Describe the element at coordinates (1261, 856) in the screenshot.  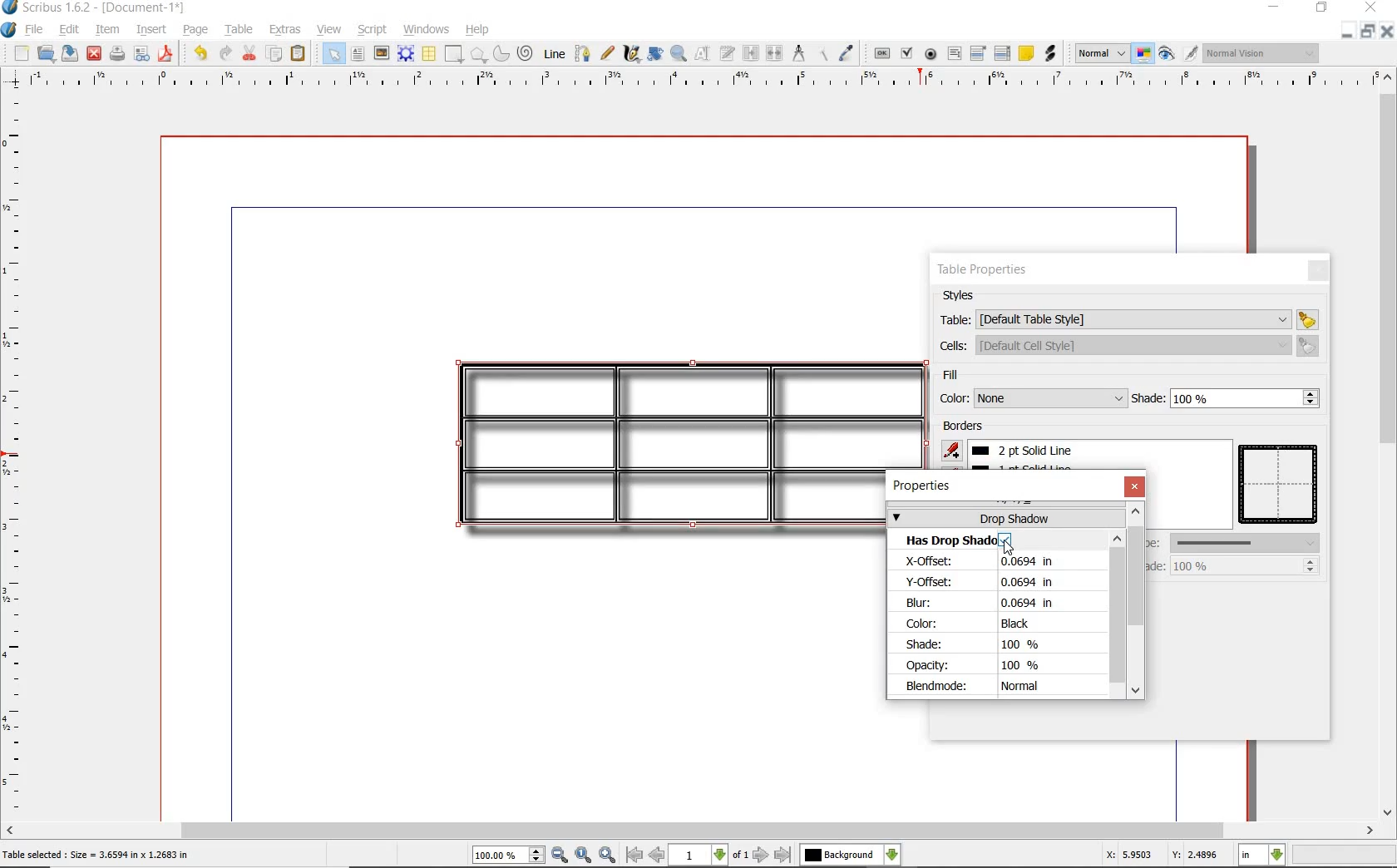
I see `select current unit` at that location.